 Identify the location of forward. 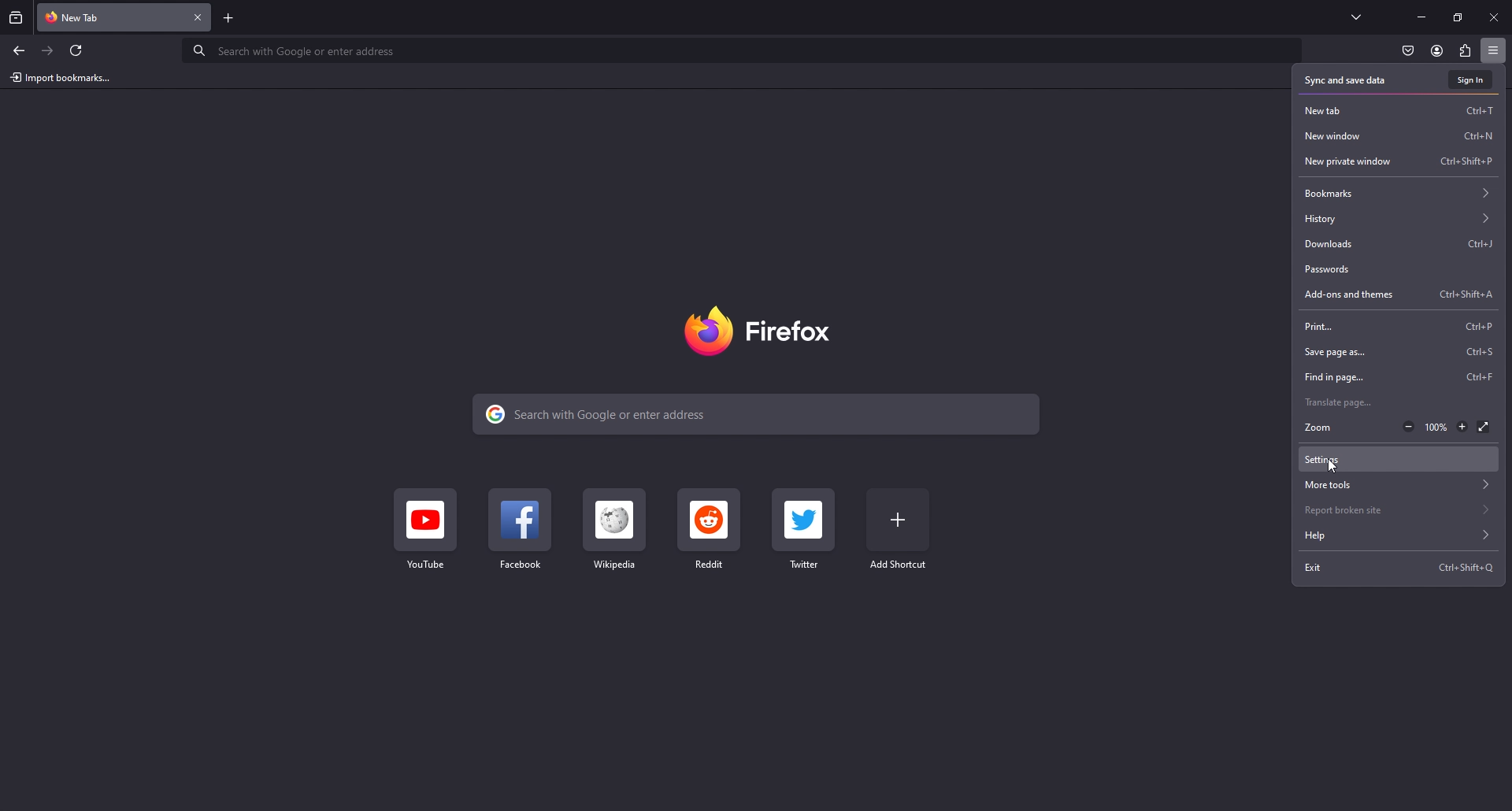
(48, 51).